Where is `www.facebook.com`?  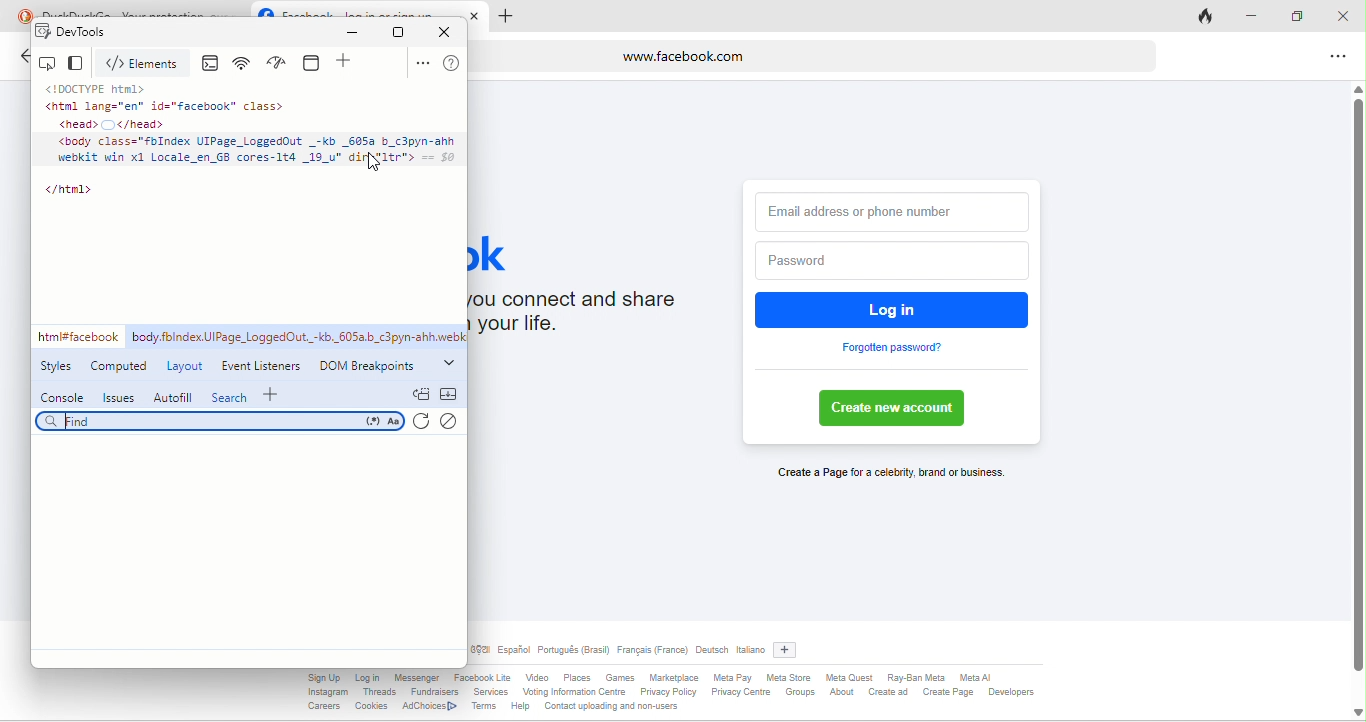
www.facebook.com is located at coordinates (815, 55).